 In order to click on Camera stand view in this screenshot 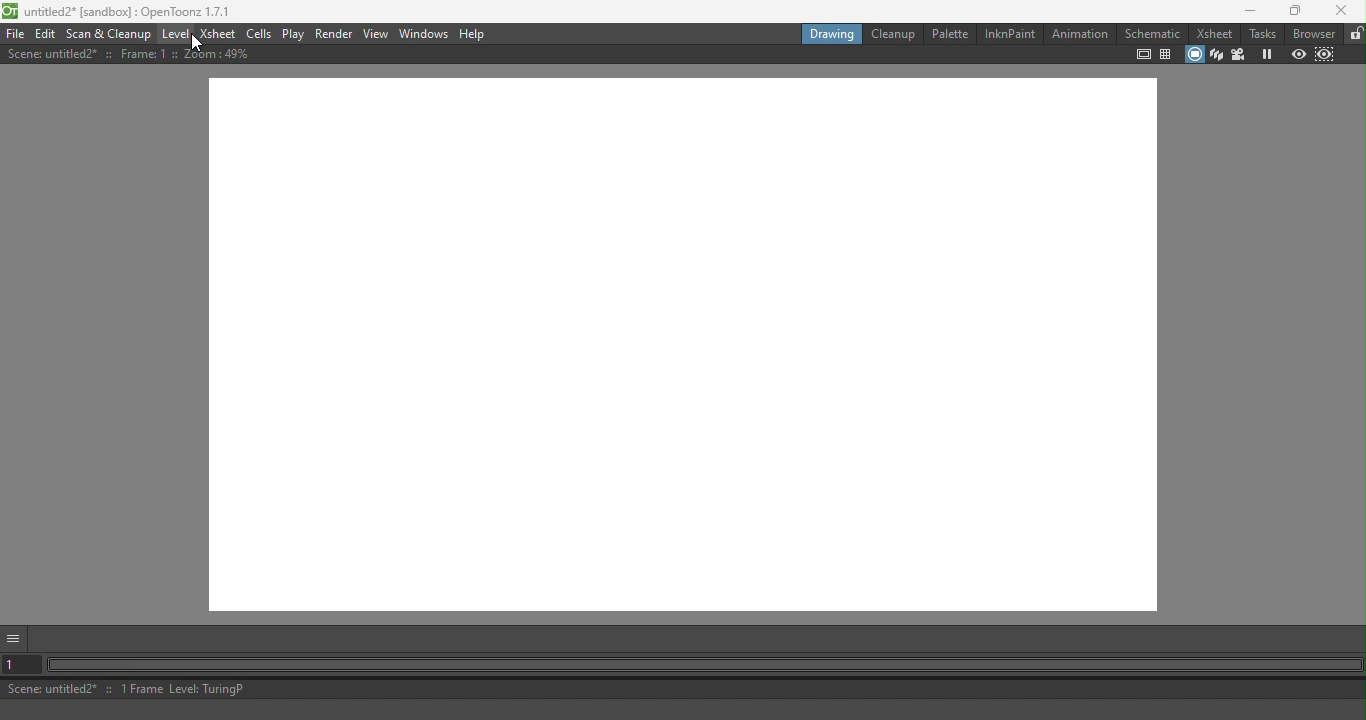, I will do `click(1195, 55)`.